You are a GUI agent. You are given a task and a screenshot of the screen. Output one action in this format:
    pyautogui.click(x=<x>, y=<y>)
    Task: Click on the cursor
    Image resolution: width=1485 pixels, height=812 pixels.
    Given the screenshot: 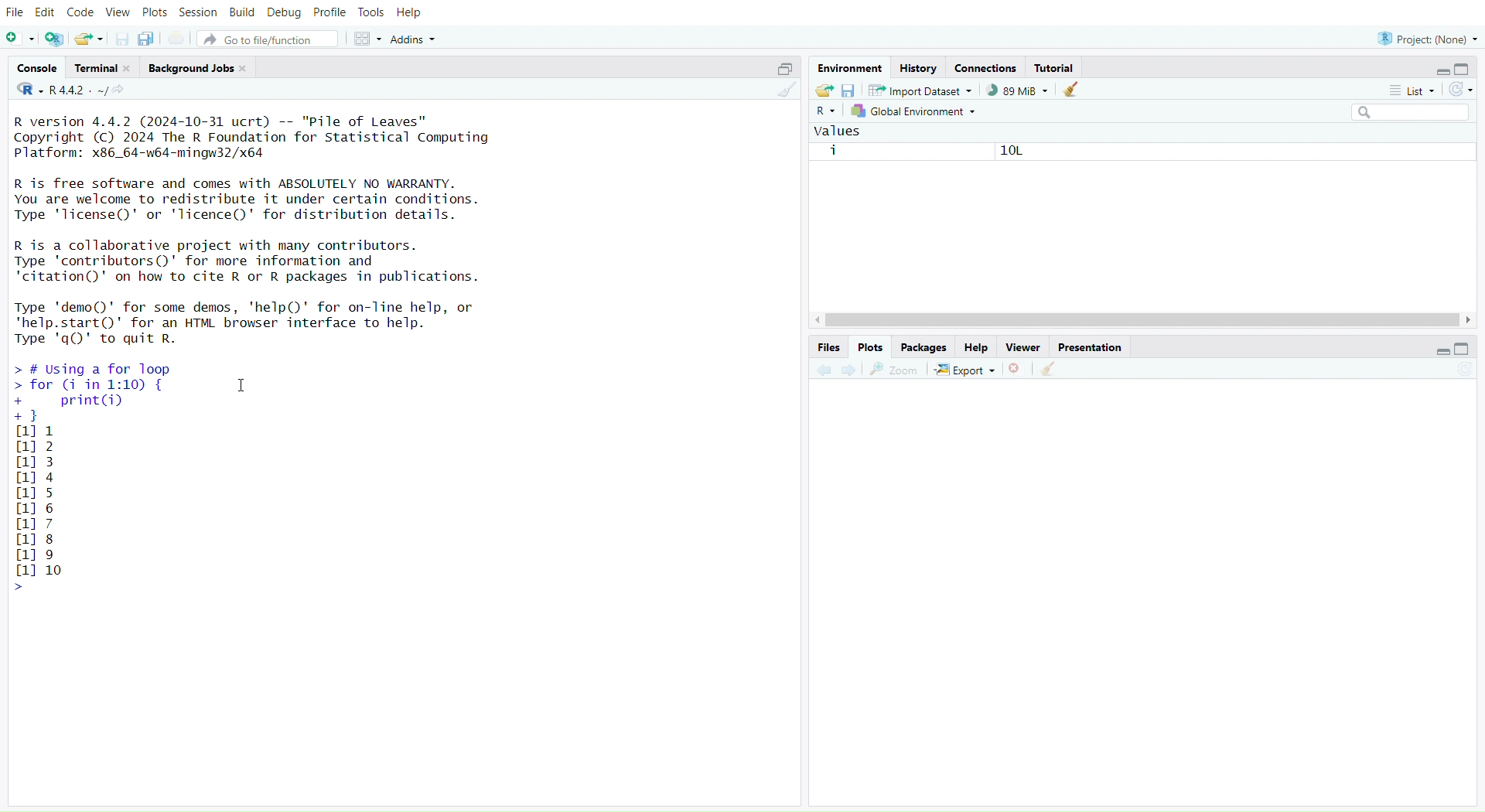 What is the action you would take?
    pyautogui.click(x=241, y=387)
    